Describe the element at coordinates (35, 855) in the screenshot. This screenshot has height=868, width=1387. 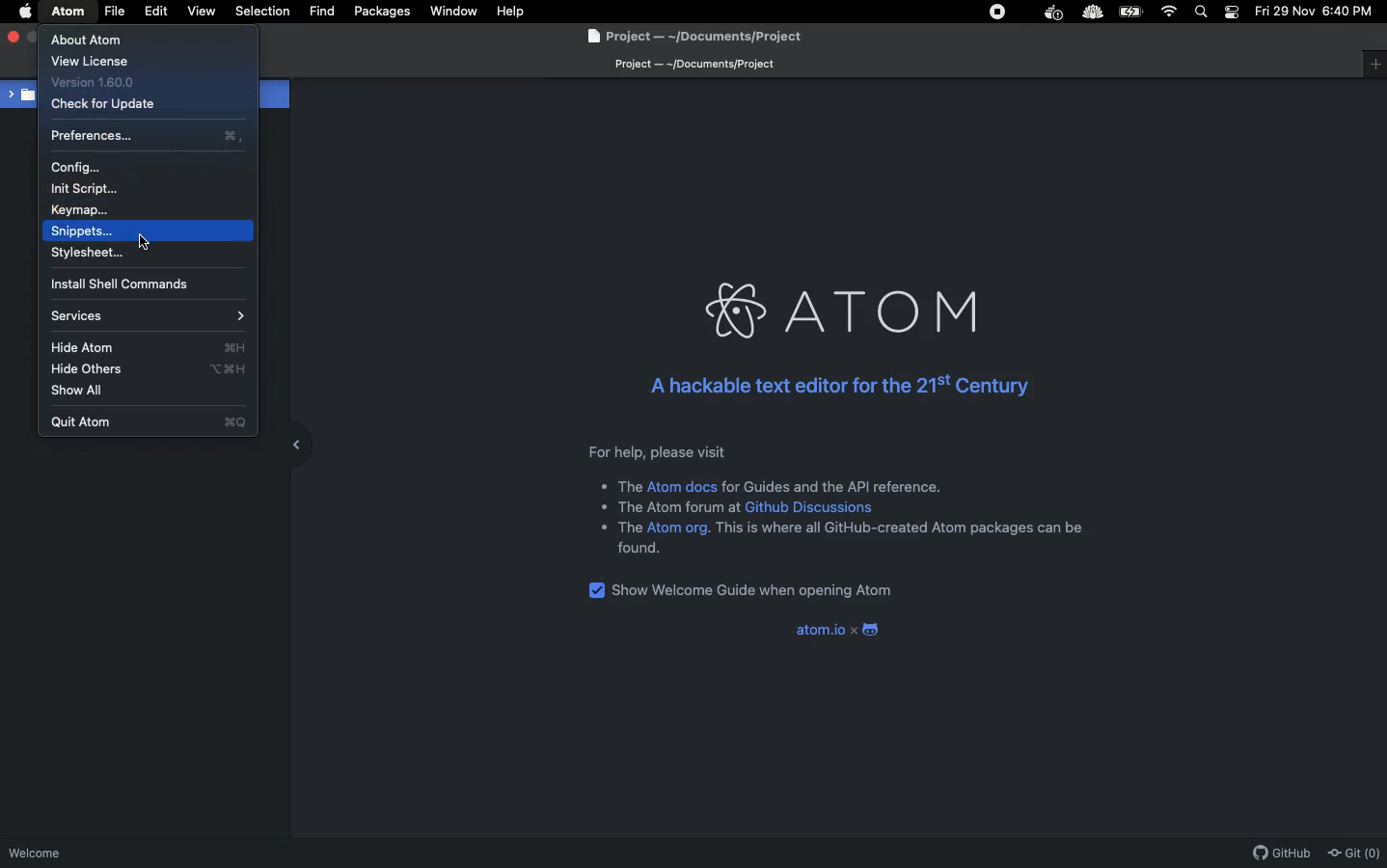
I see `Welome` at that location.